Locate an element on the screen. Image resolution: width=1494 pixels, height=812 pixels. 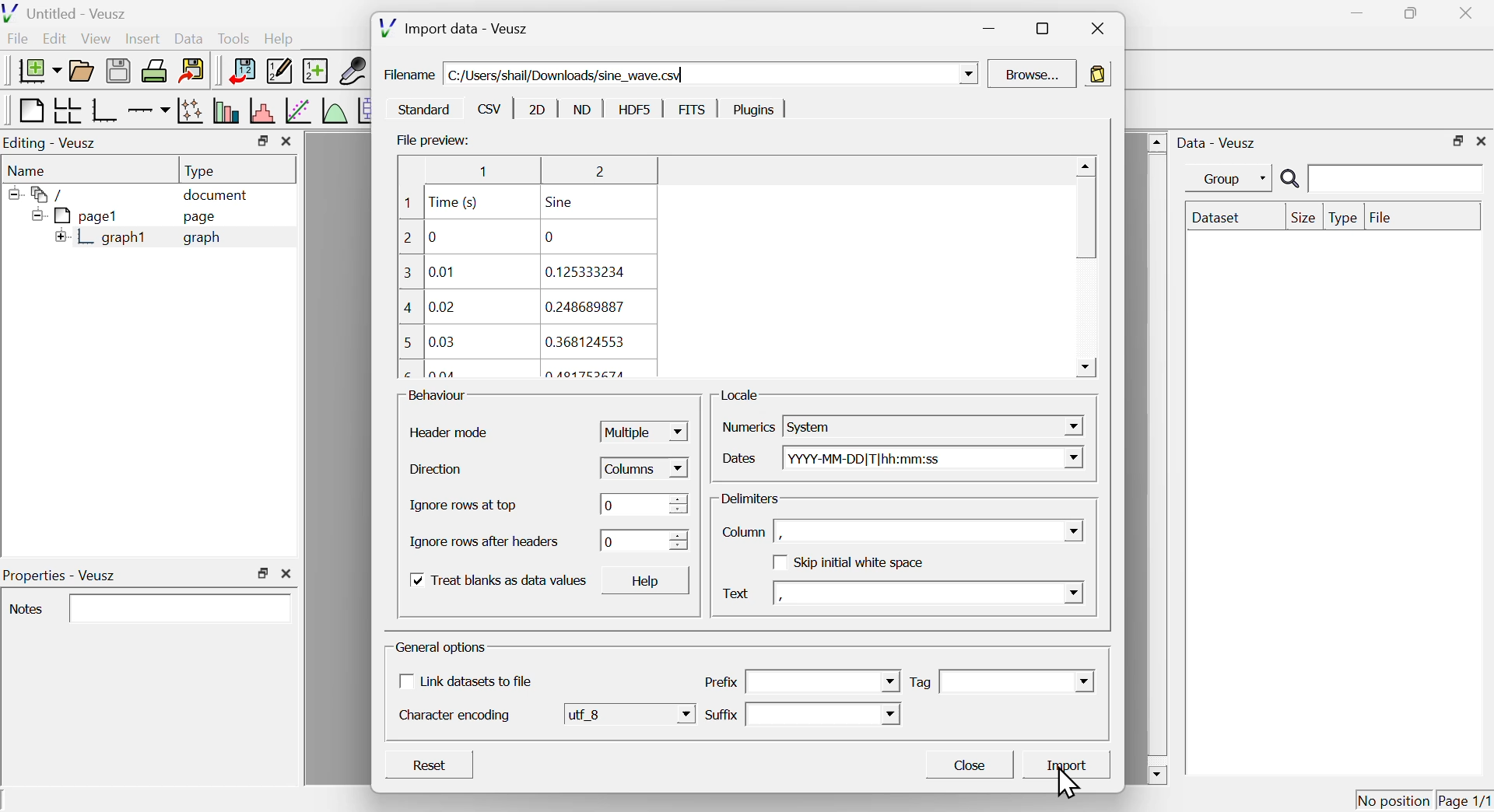
System  is located at coordinates (937, 425).